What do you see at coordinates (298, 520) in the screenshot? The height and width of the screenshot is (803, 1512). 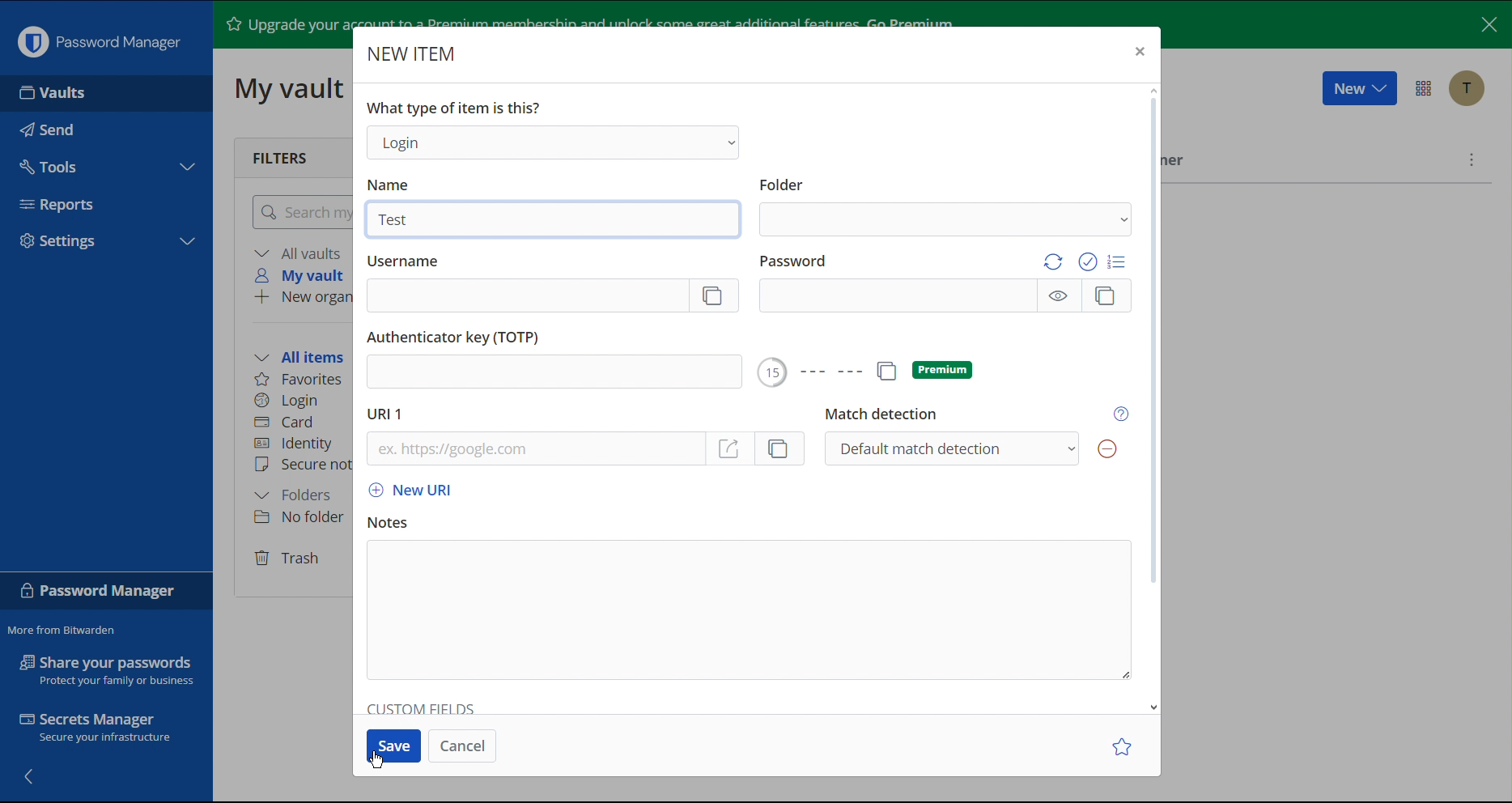 I see `No folder` at bounding box center [298, 520].